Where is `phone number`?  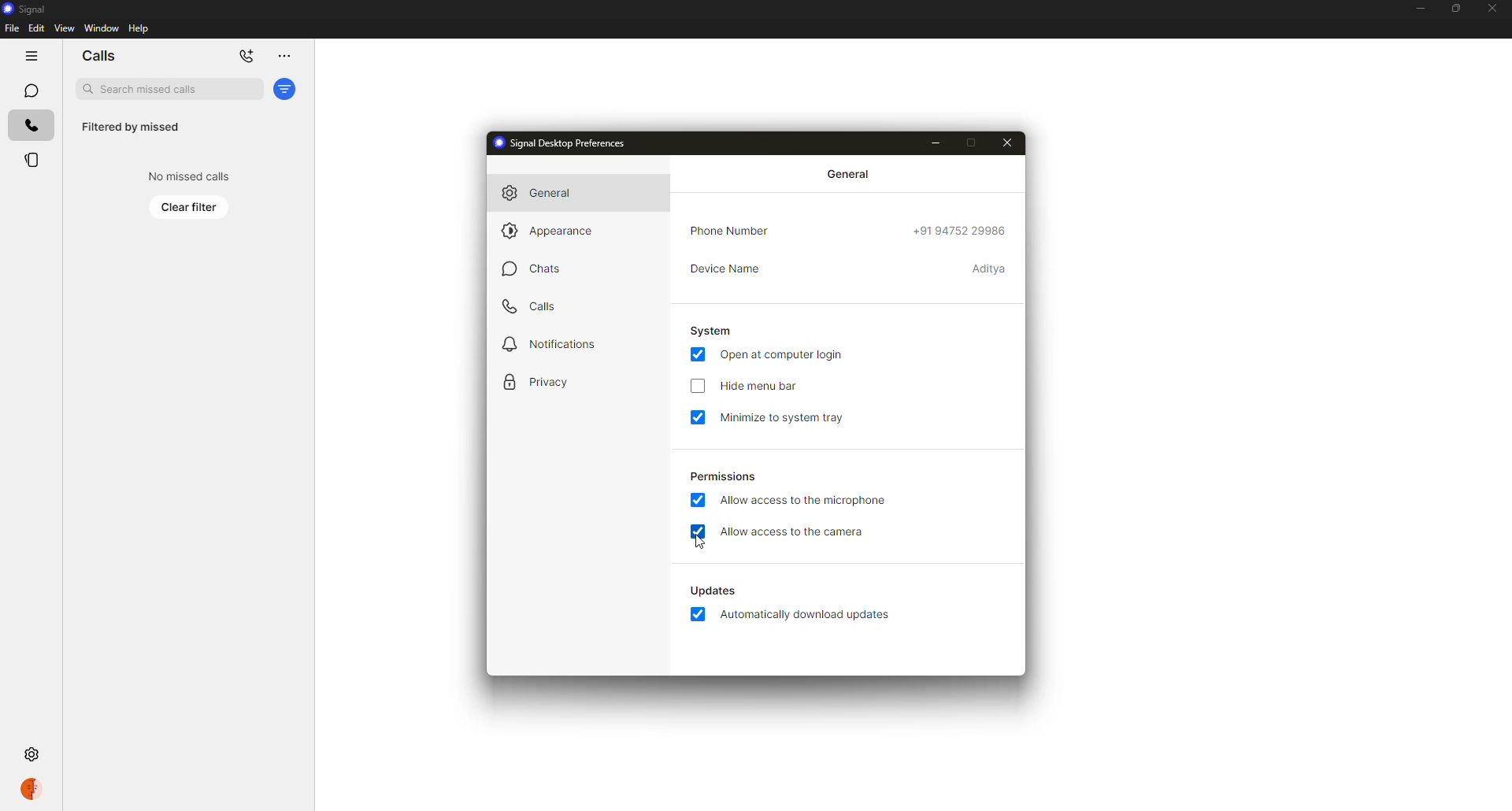
phone number is located at coordinates (962, 230).